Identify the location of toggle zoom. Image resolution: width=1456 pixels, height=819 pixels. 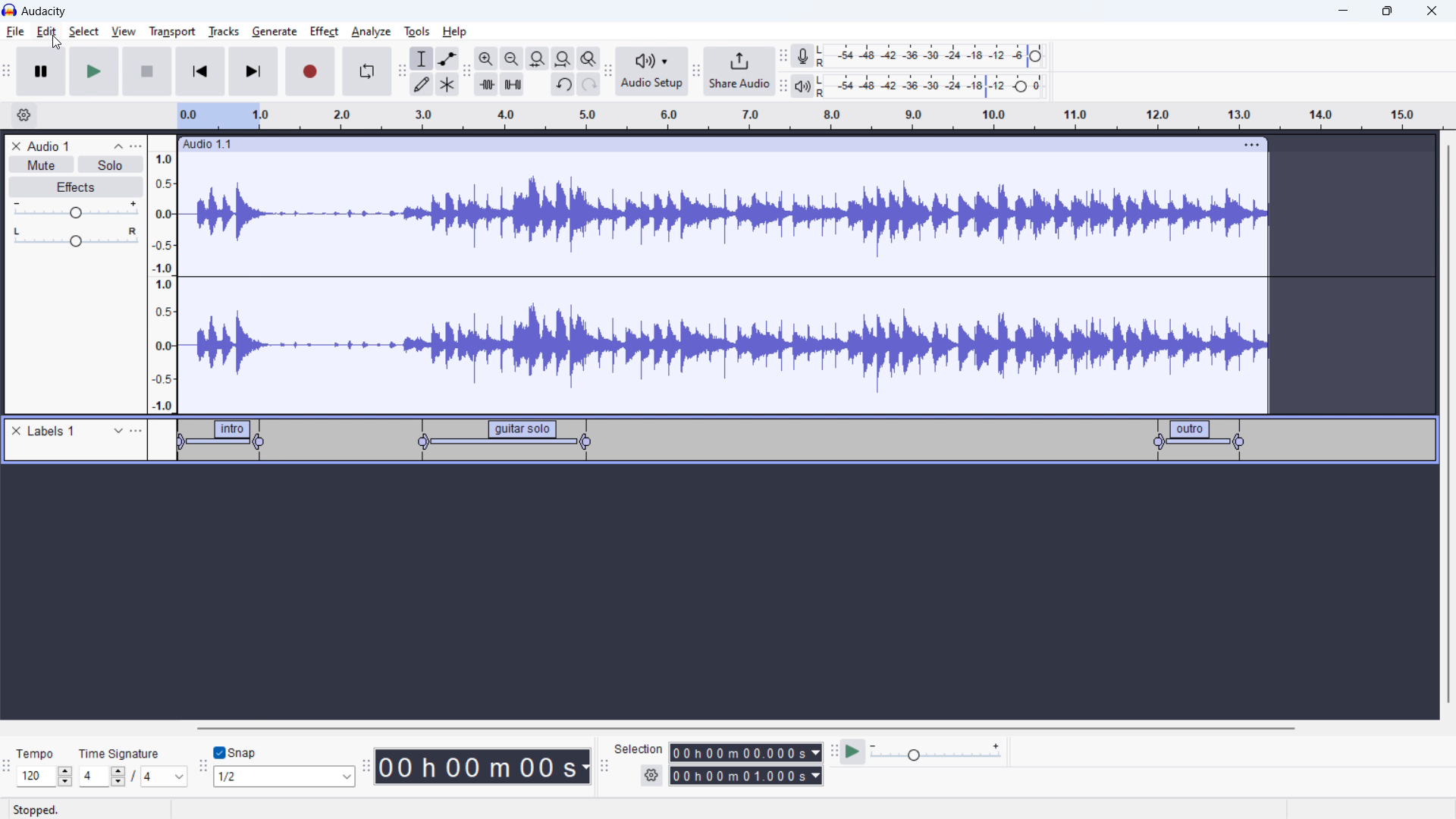
(588, 58).